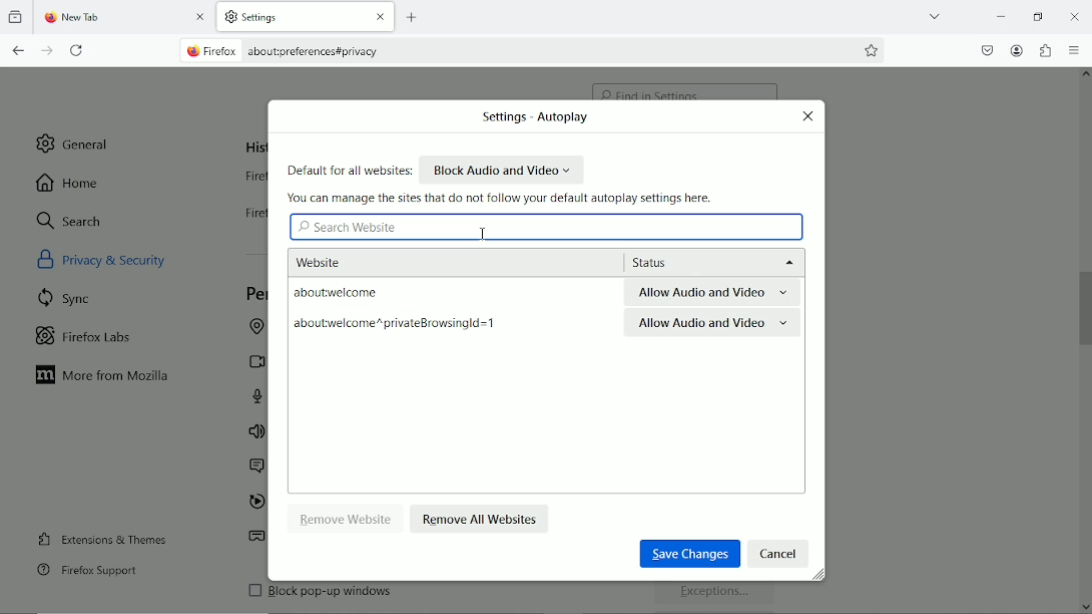 The image size is (1092, 614). What do you see at coordinates (254, 147) in the screenshot?
I see `history` at bounding box center [254, 147].